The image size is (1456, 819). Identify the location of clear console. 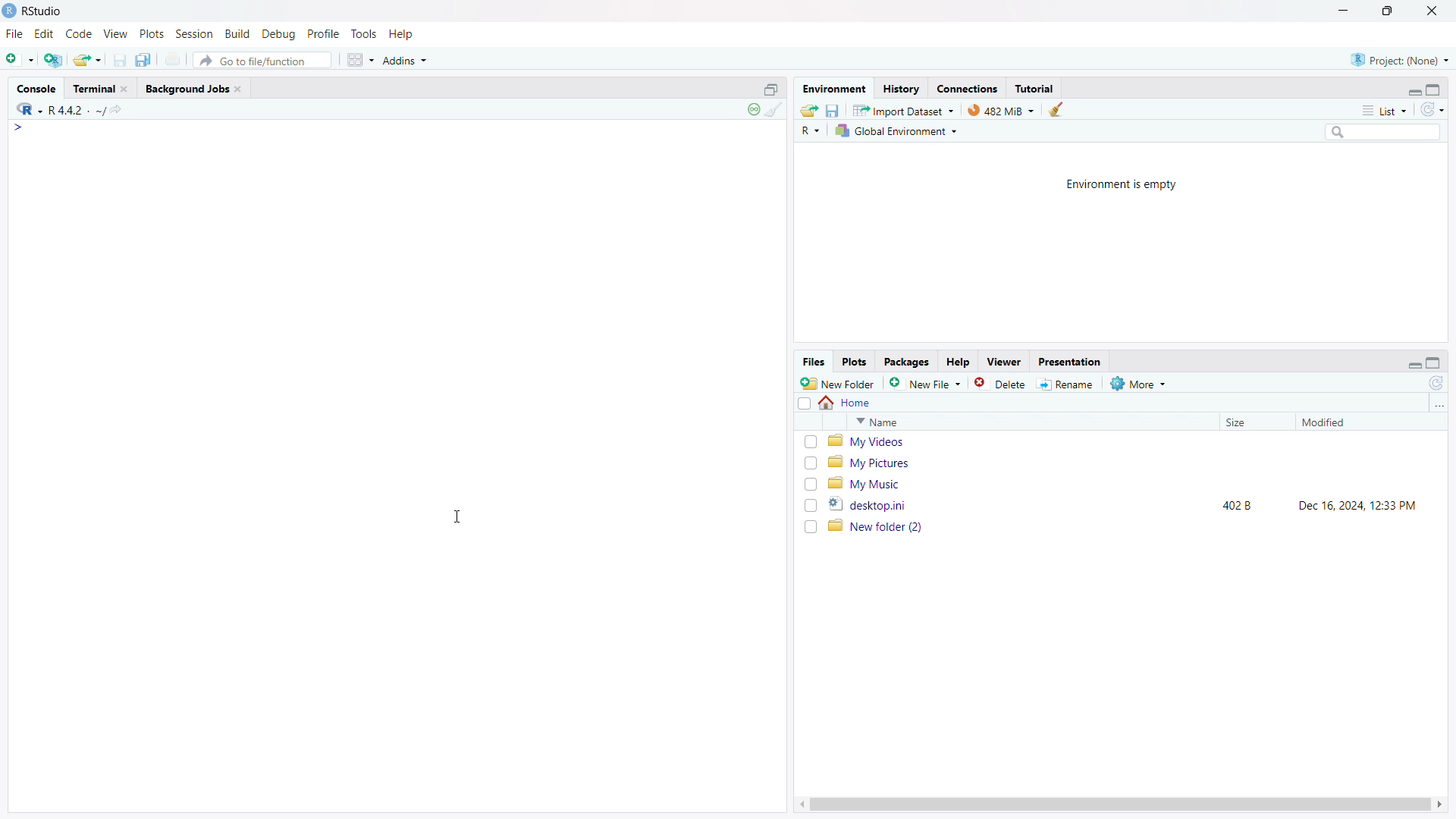
(774, 110).